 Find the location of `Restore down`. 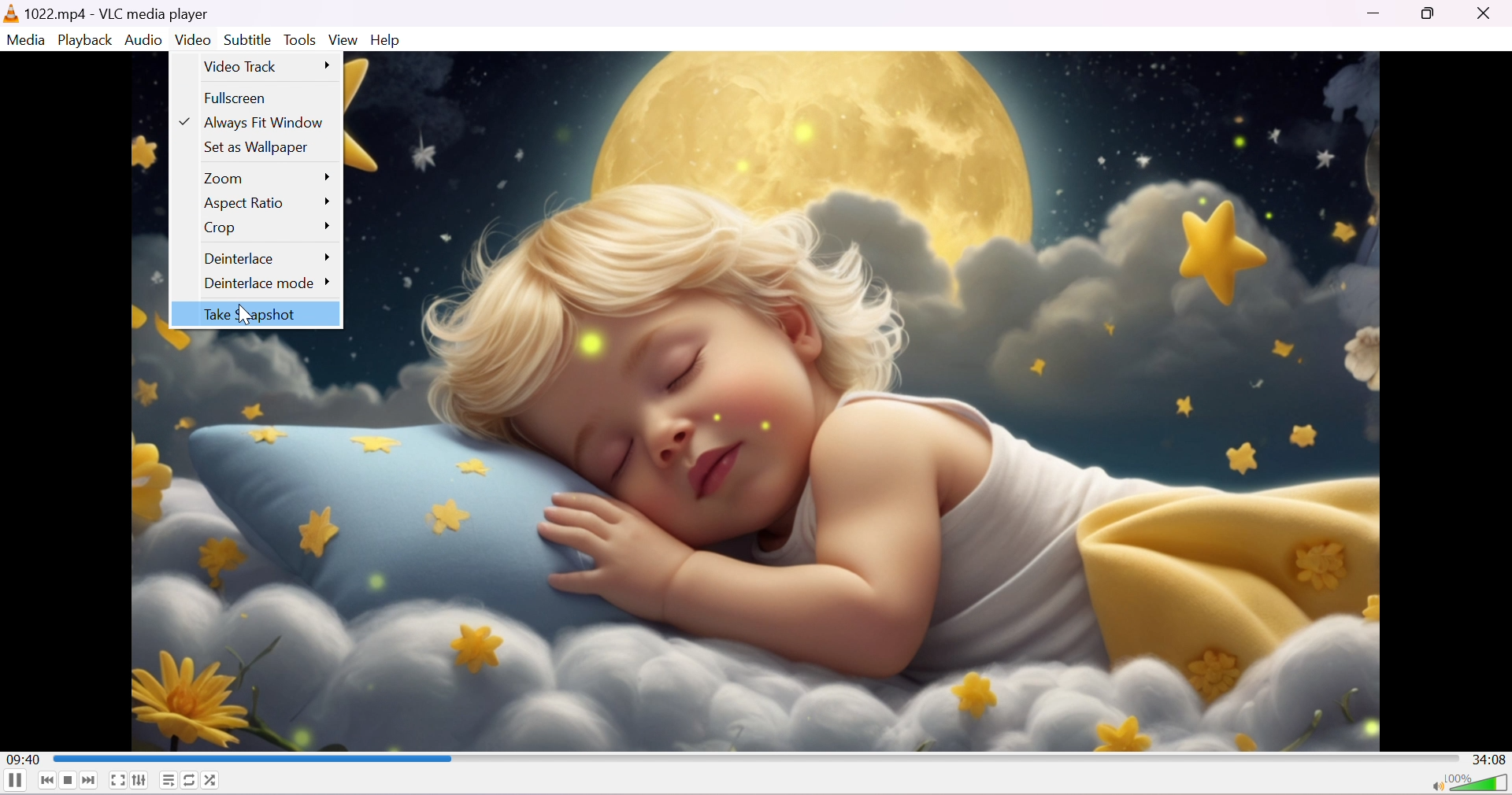

Restore down is located at coordinates (1431, 17).